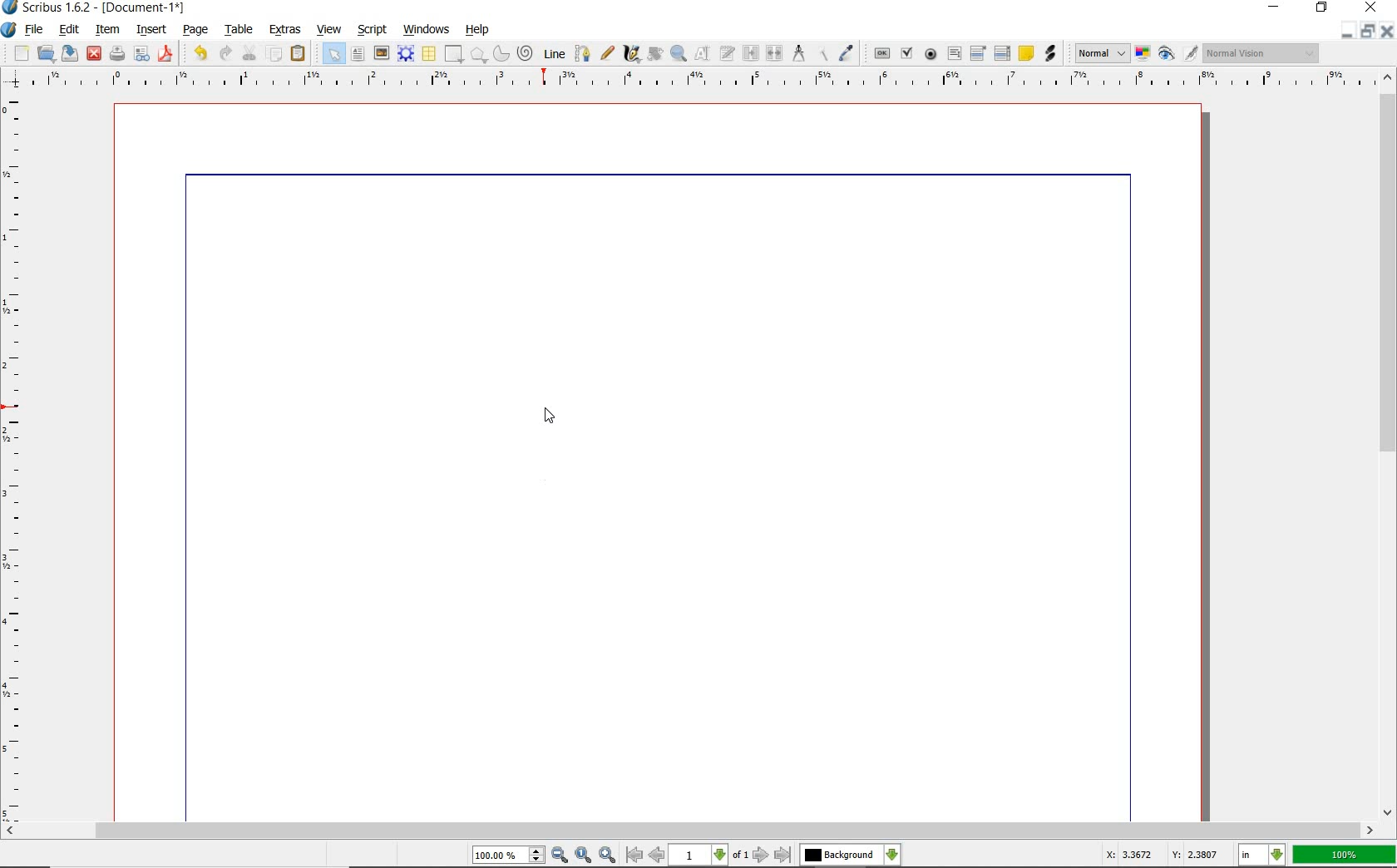 The height and width of the screenshot is (868, 1397). I want to click on print, so click(116, 52).